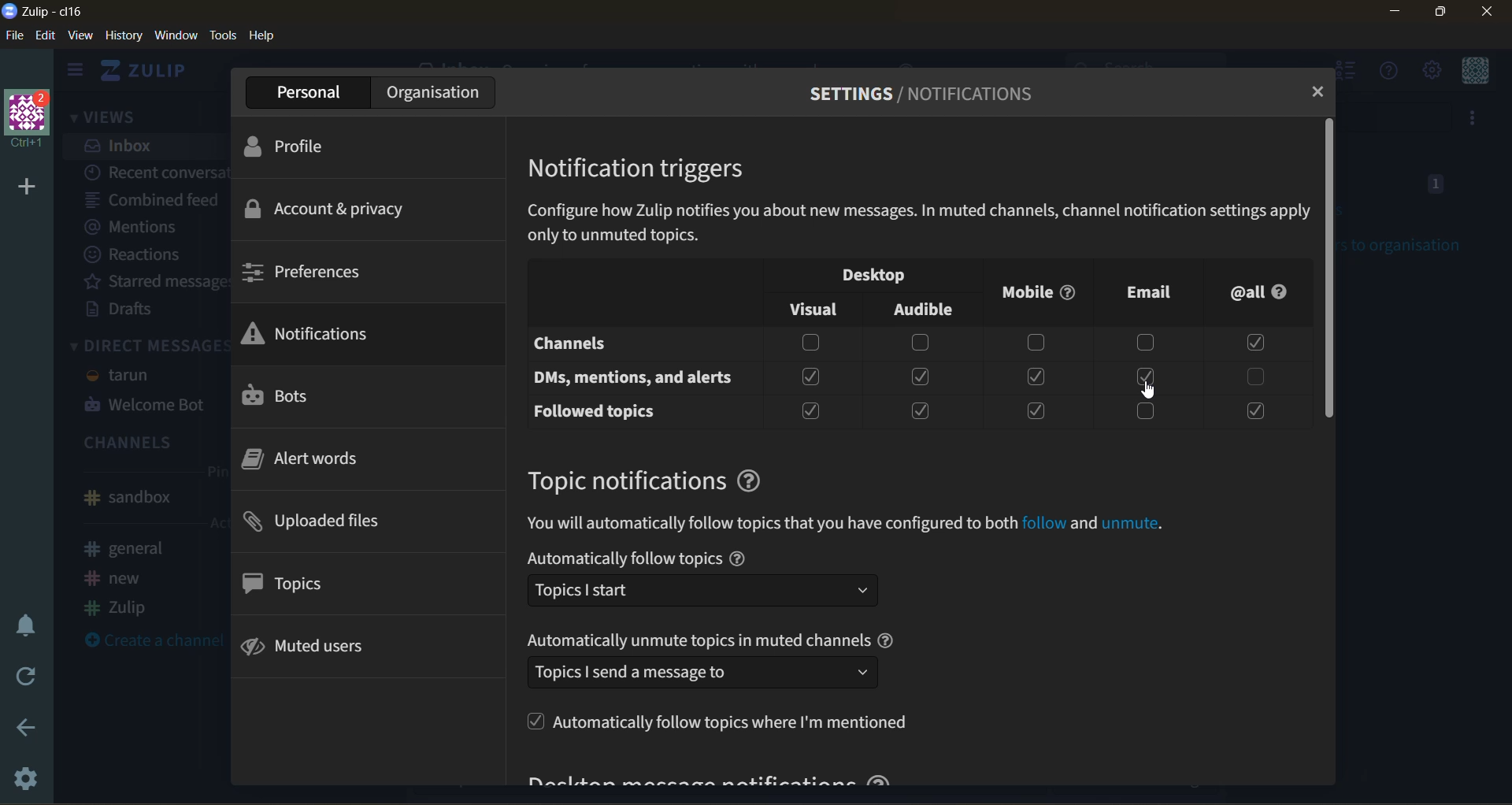 This screenshot has height=805, width=1512. Describe the element at coordinates (925, 98) in the screenshot. I see `settings/notifications` at that location.